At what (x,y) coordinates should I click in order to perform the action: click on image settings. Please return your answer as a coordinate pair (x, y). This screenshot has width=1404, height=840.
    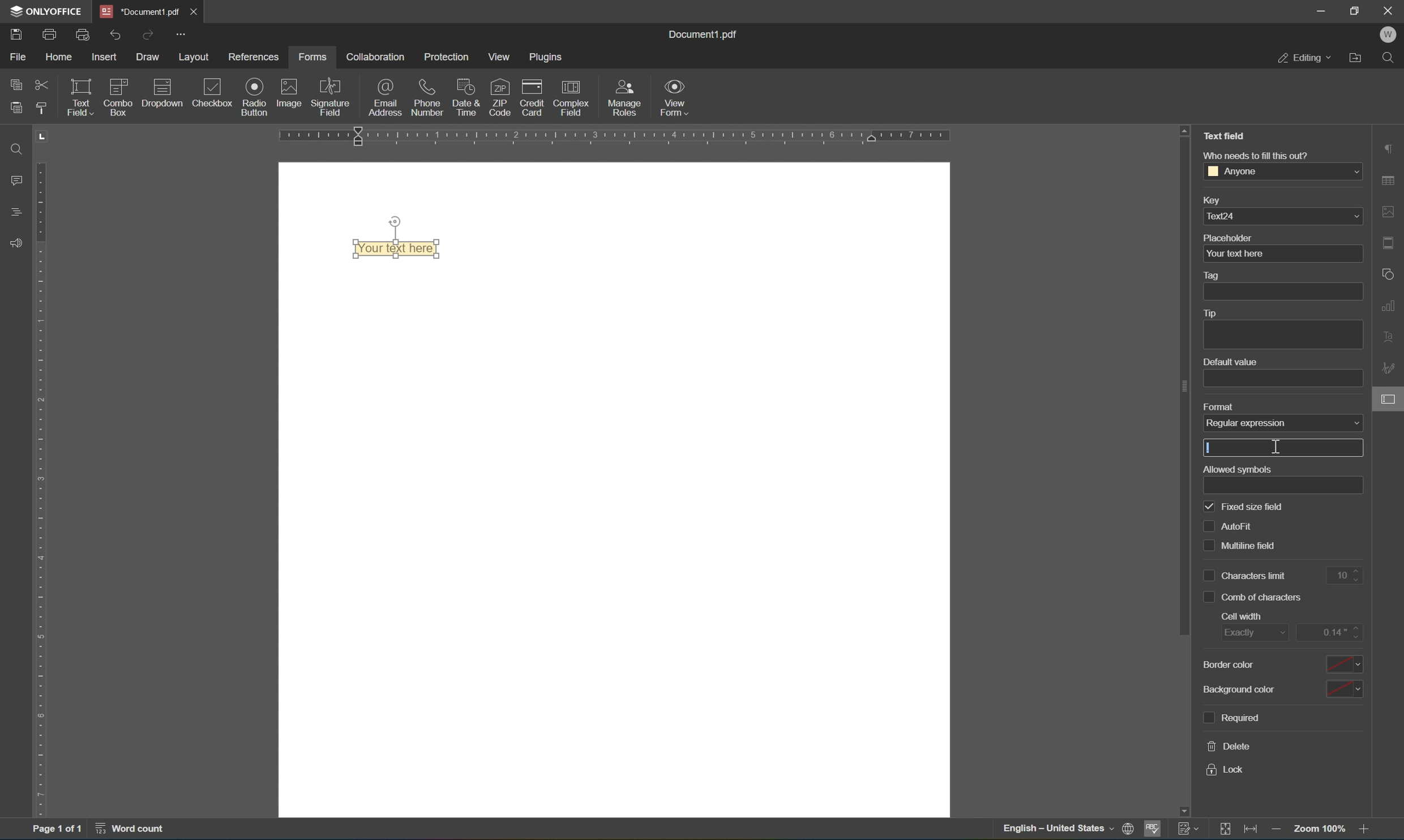
    Looking at the image, I should click on (1389, 212).